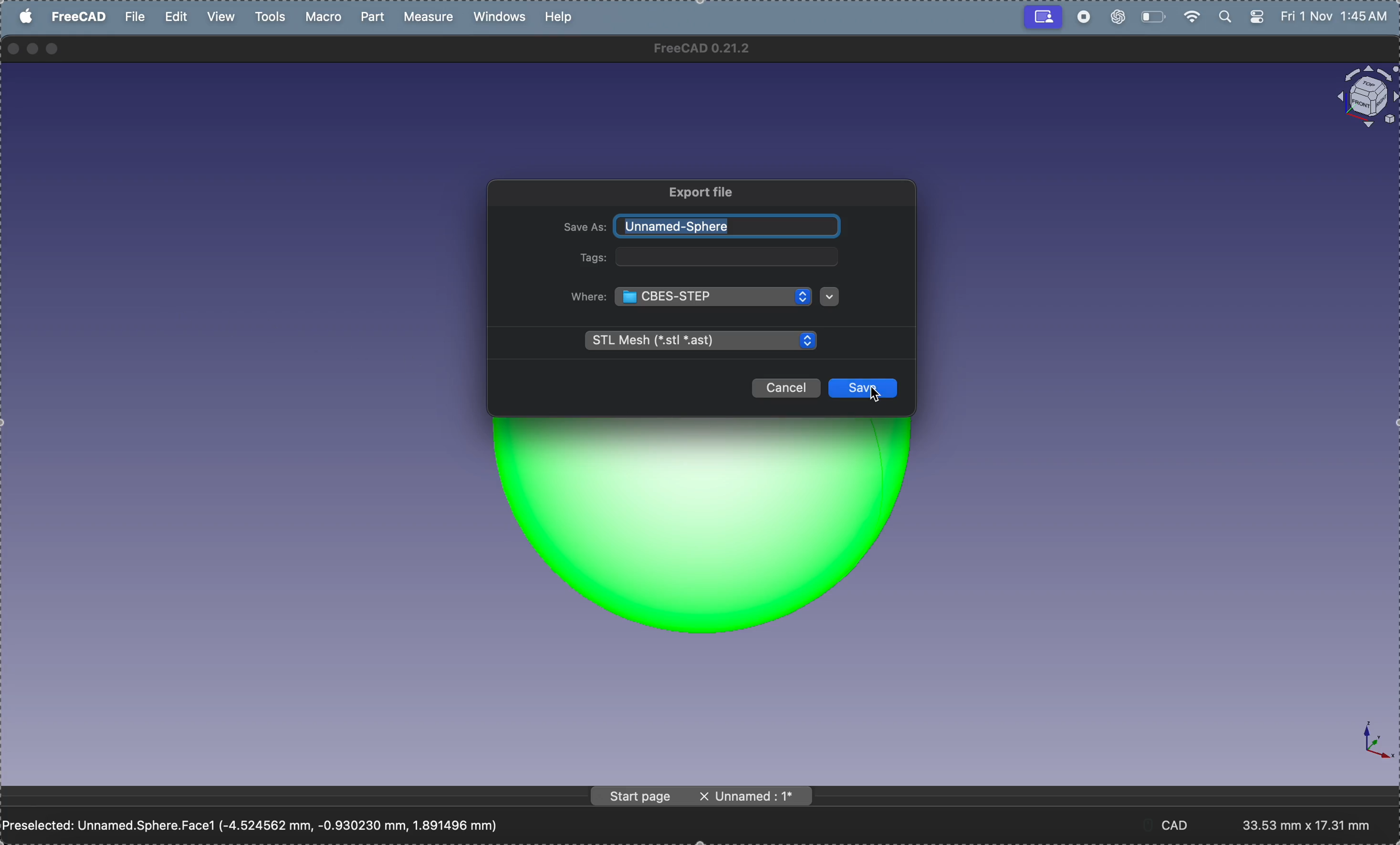 This screenshot has height=845, width=1400. I want to click on export file, so click(701, 192).